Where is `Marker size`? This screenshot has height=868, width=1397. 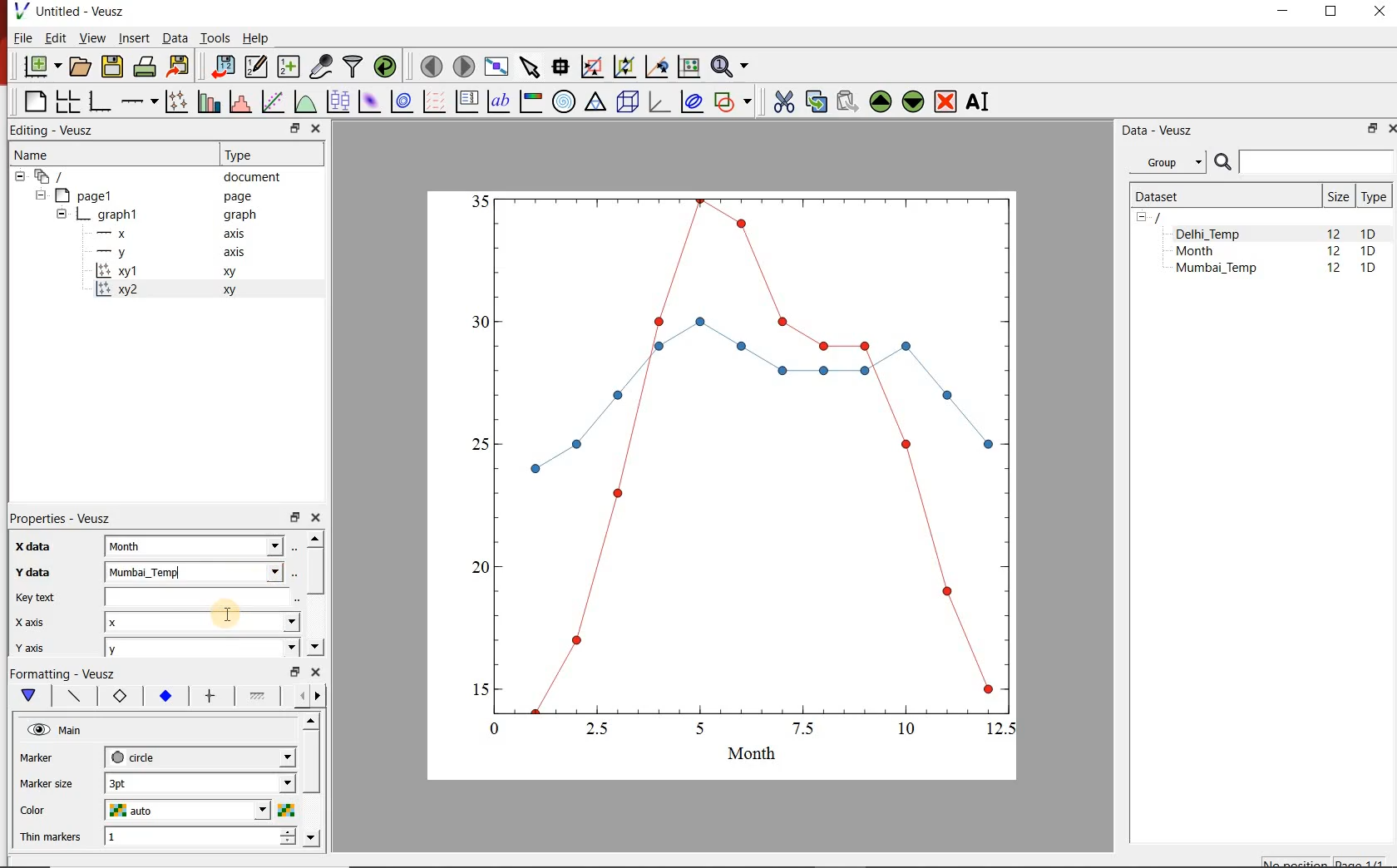
Marker size is located at coordinates (47, 785).